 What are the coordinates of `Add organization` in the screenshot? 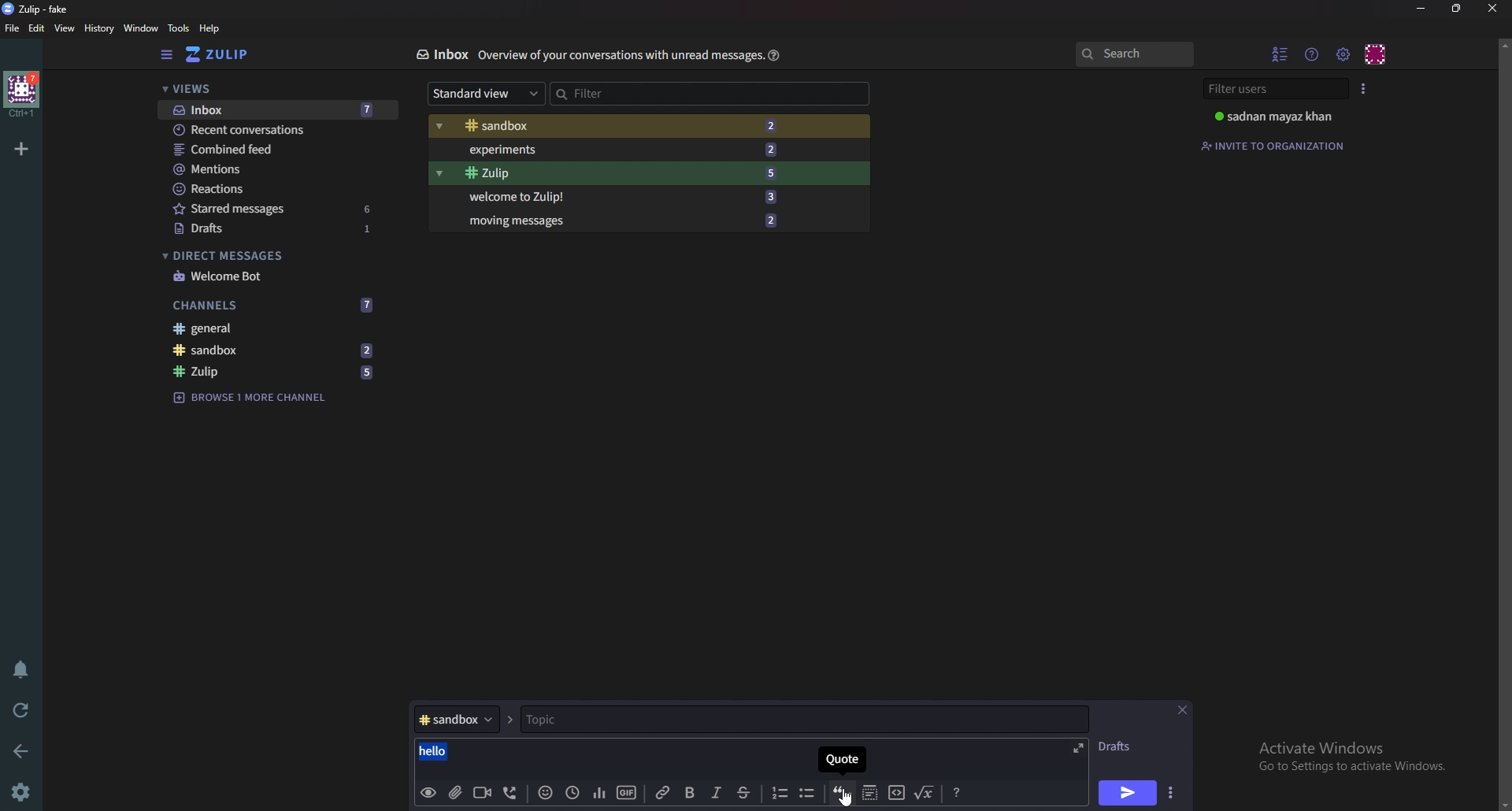 It's located at (24, 149).